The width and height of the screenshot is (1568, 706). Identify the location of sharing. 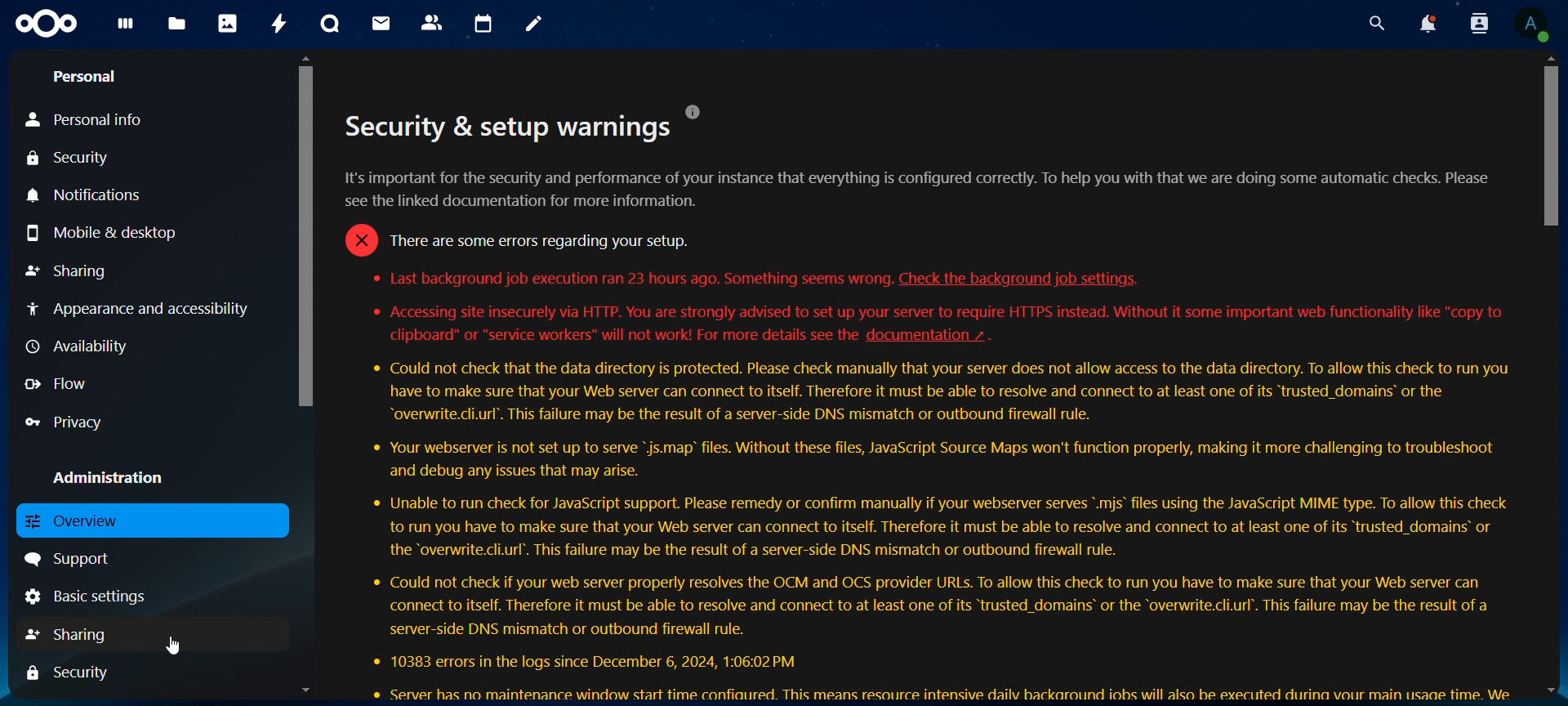
(75, 636).